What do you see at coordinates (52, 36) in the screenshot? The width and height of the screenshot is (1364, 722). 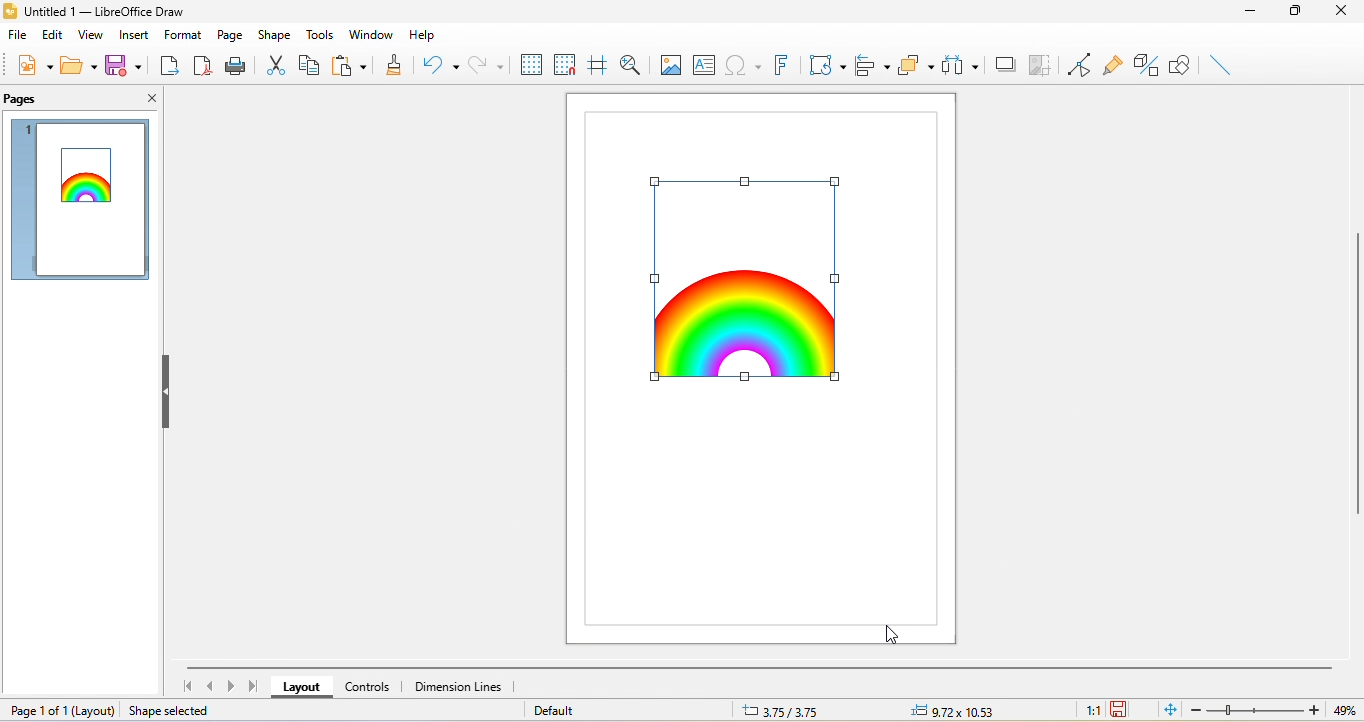 I see `edit` at bounding box center [52, 36].